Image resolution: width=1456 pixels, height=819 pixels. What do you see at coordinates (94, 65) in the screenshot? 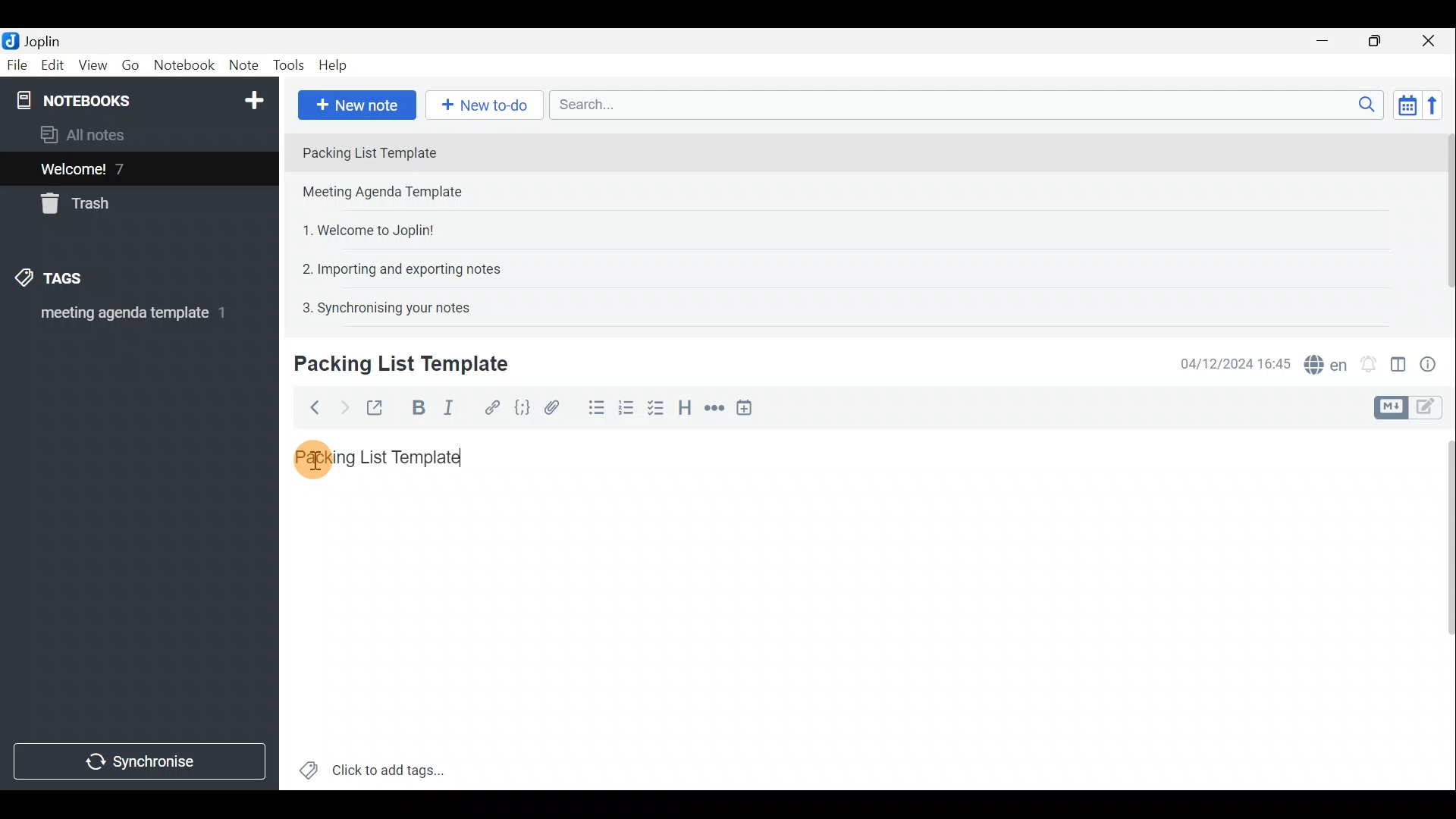
I see `View` at bounding box center [94, 65].